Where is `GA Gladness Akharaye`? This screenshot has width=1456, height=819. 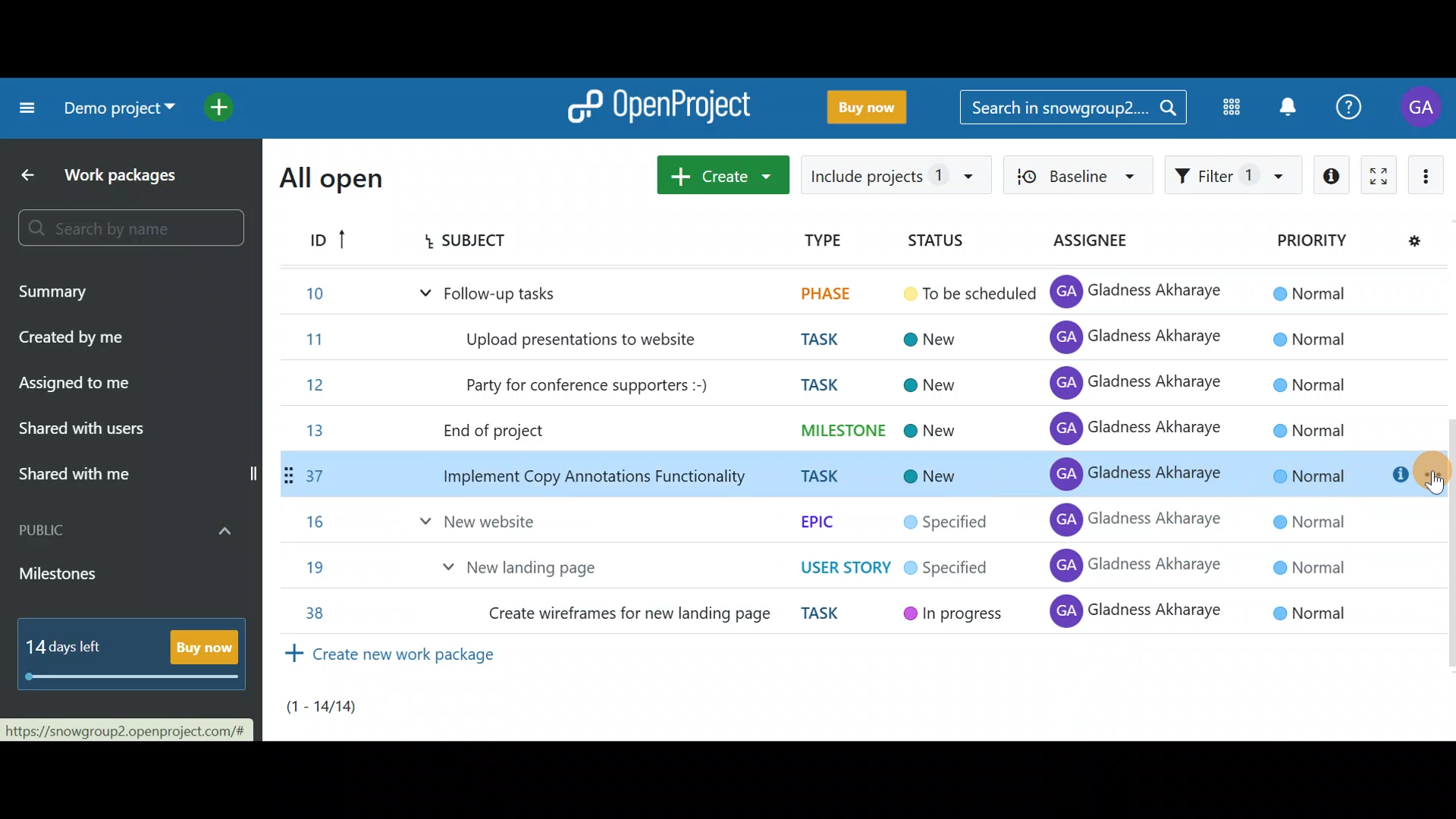
GA Gladness Akharaye is located at coordinates (1140, 521).